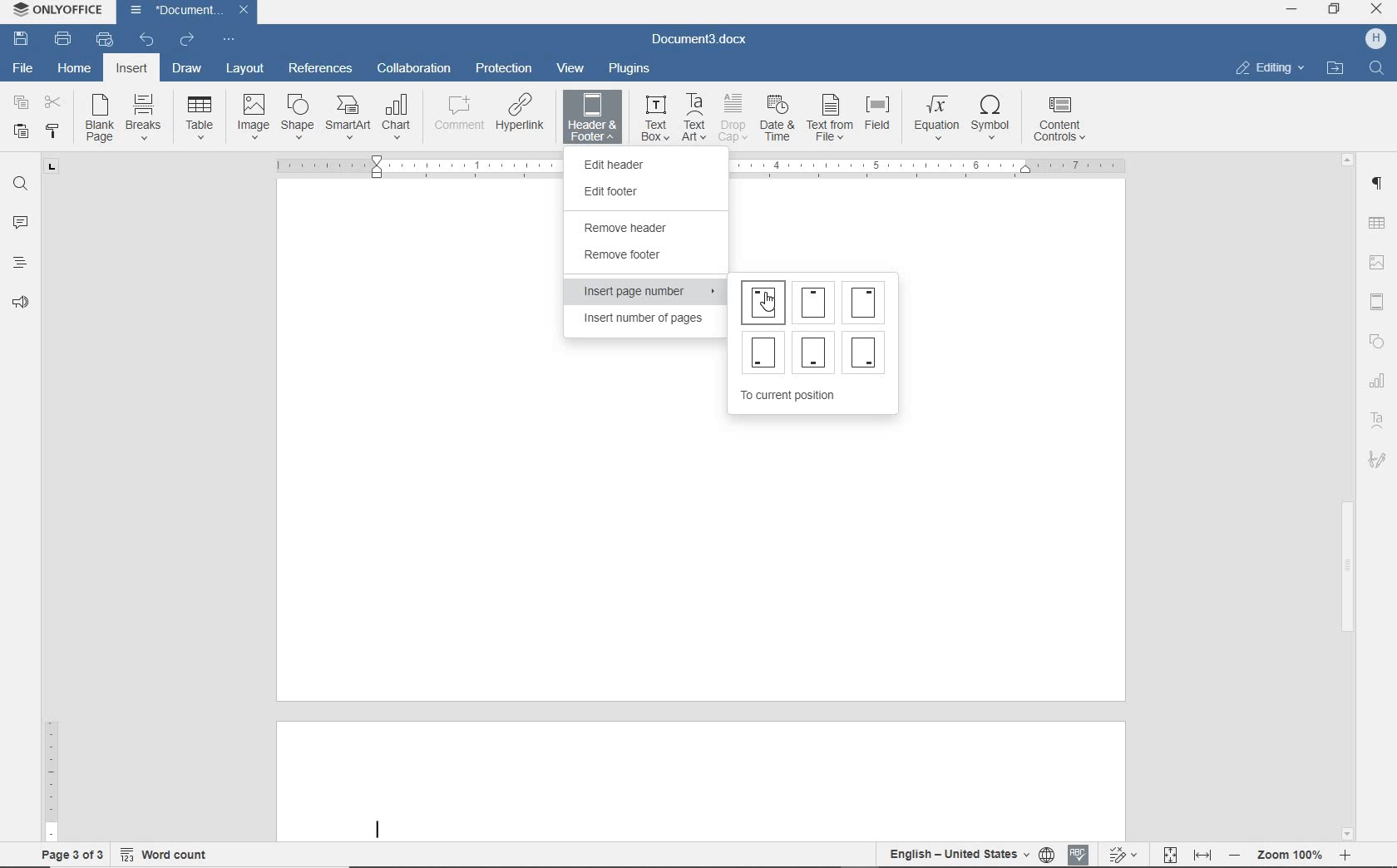  Describe the element at coordinates (572, 68) in the screenshot. I see `VIEW` at that location.